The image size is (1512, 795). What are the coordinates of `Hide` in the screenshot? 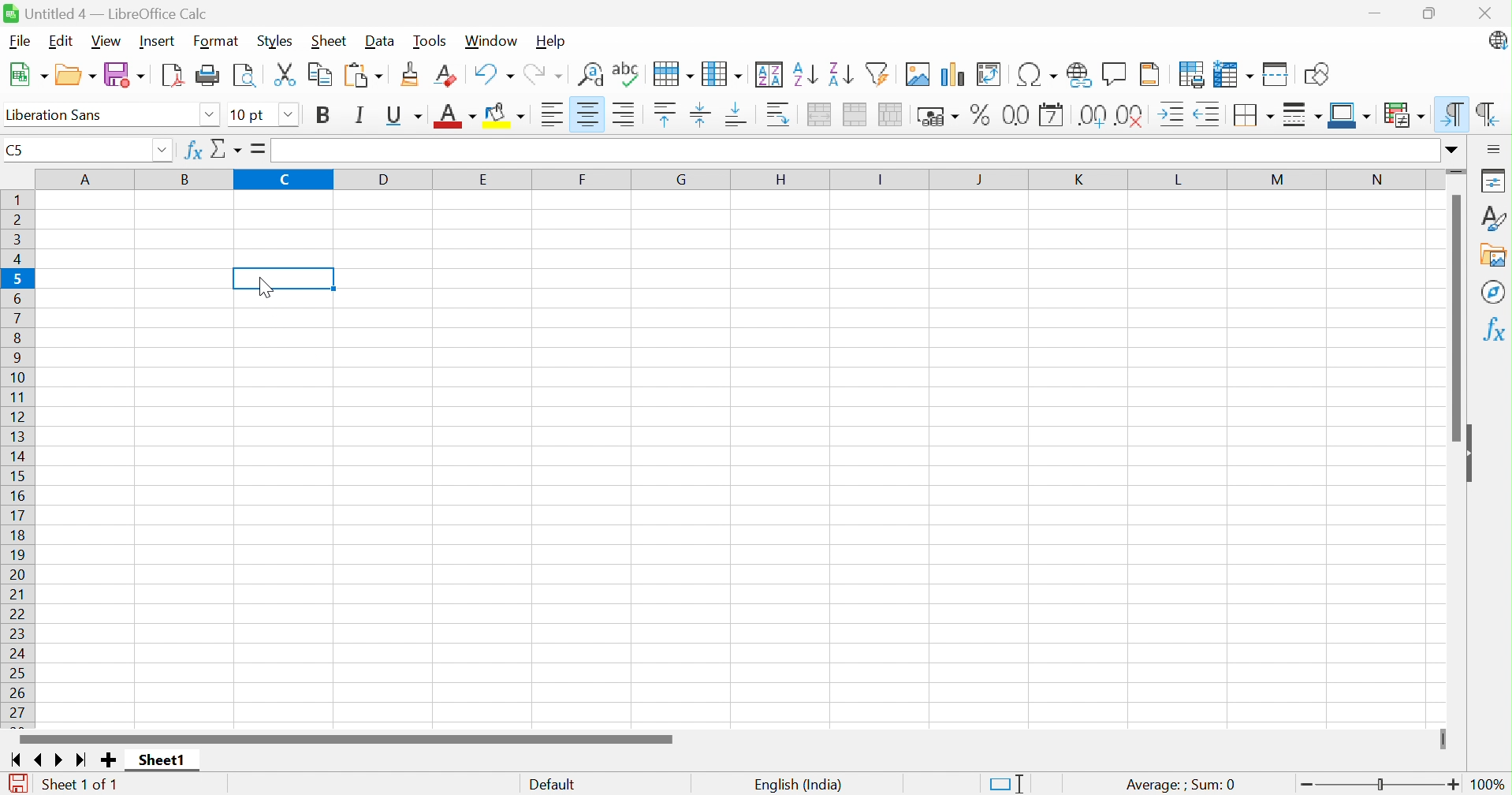 It's located at (1474, 453).